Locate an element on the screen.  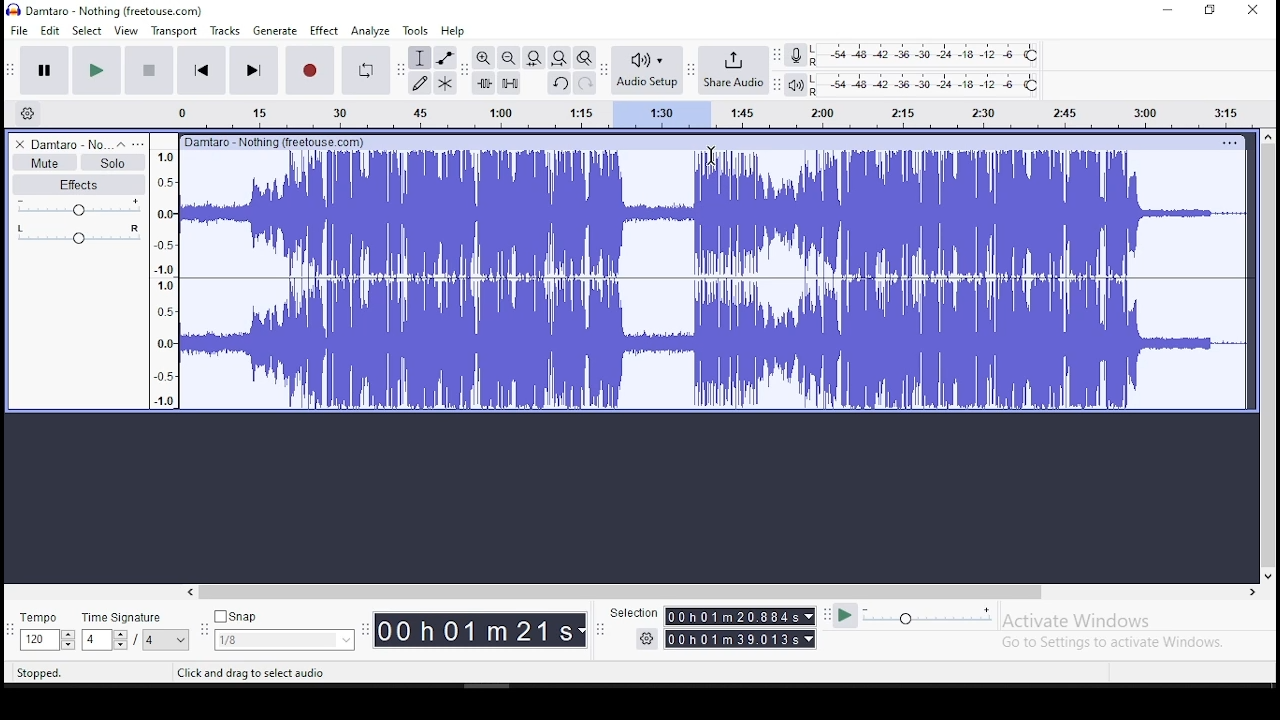
Selection is located at coordinates (632, 613).